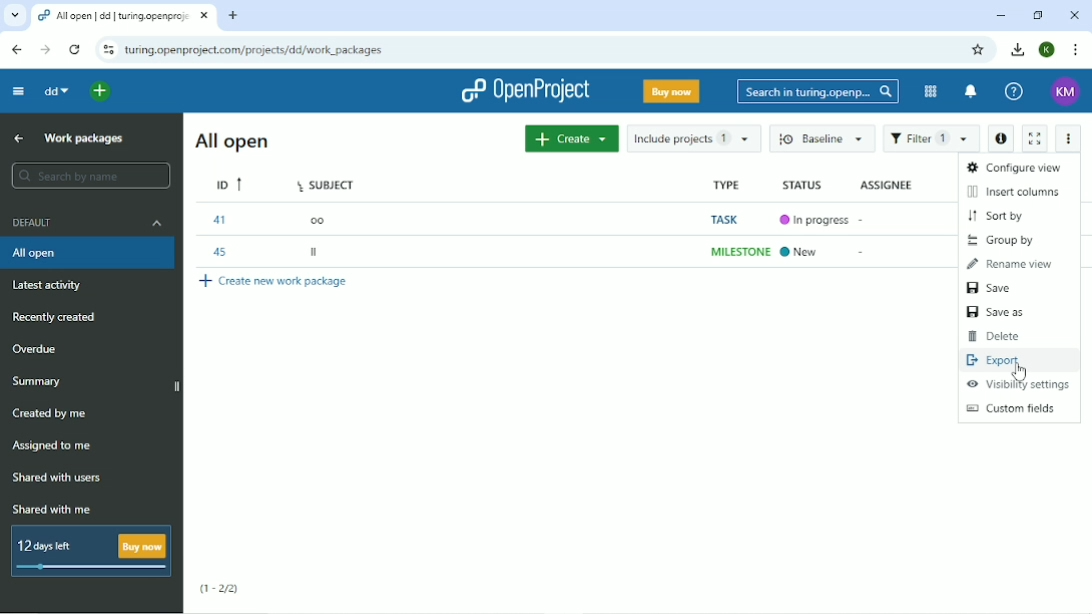 This screenshot has height=614, width=1092. What do you see at coordinates (931, 138) in the screenshot?
I see `Filter 1` at bounding box center [931, 138].